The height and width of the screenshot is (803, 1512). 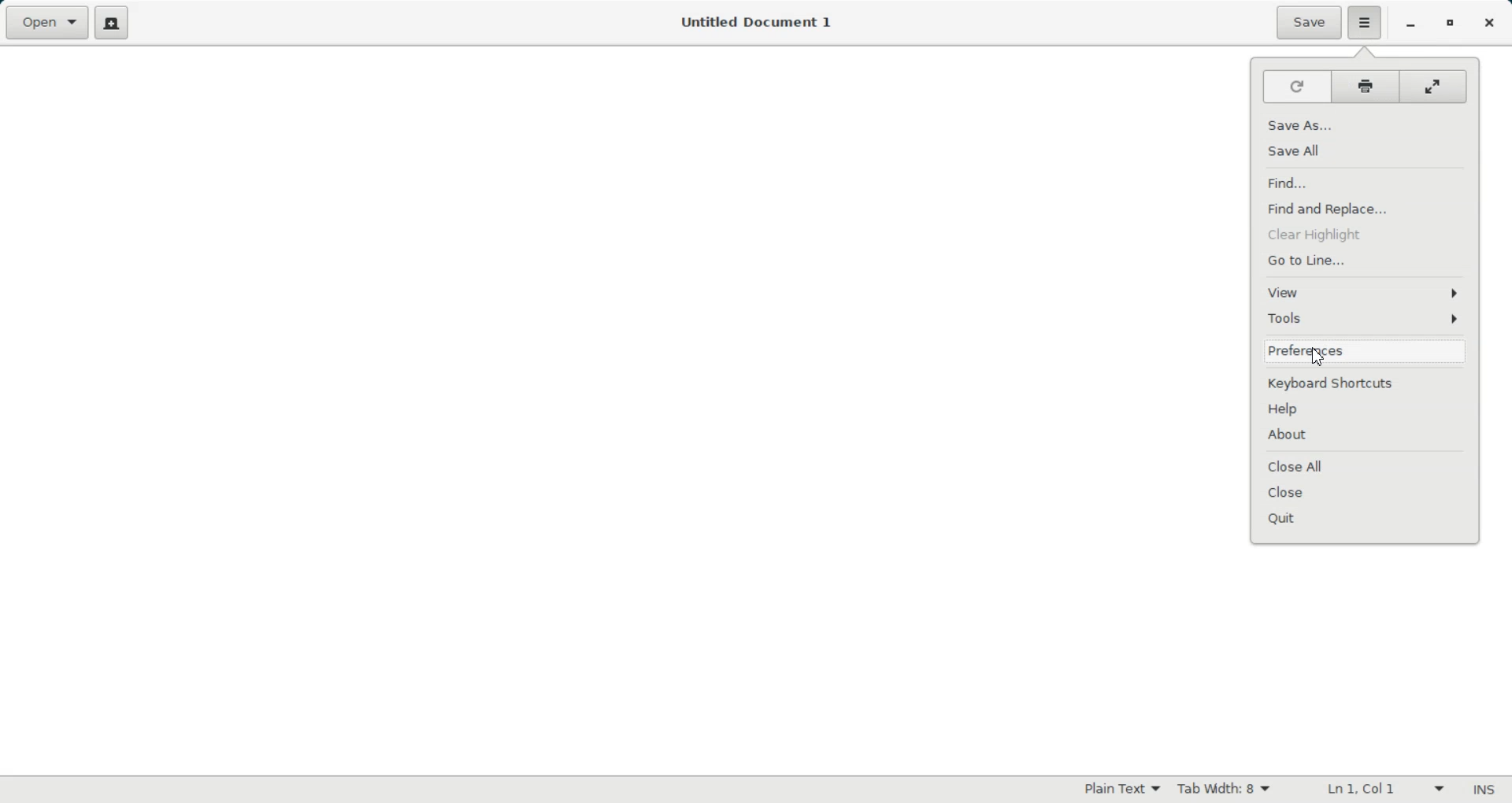 I want to click on Insert, so click(x=1485, y=790).